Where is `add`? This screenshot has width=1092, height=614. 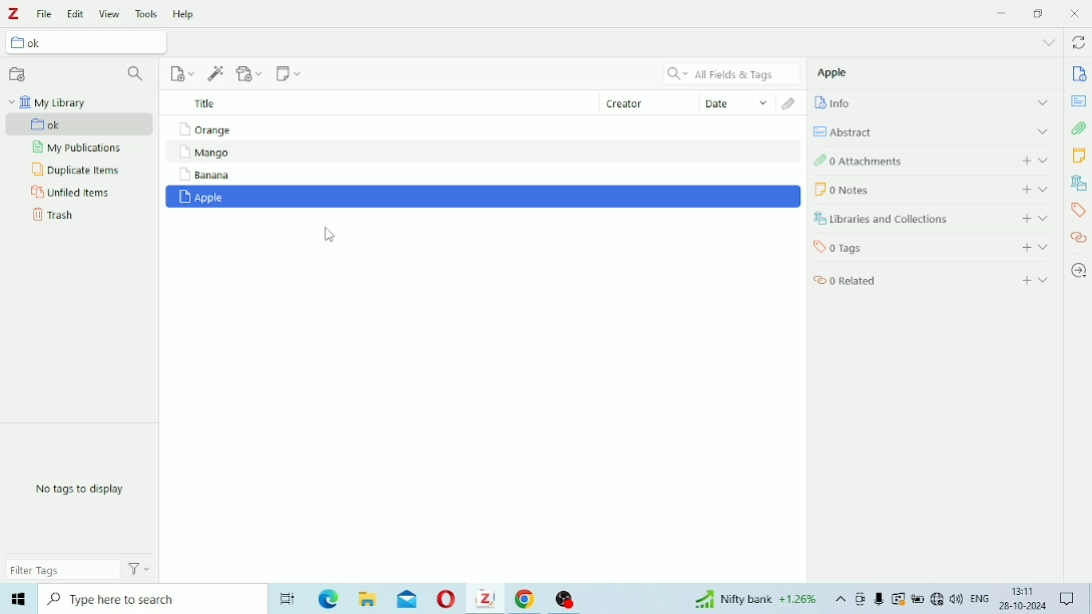 add is located at coordinates (1024, 161).